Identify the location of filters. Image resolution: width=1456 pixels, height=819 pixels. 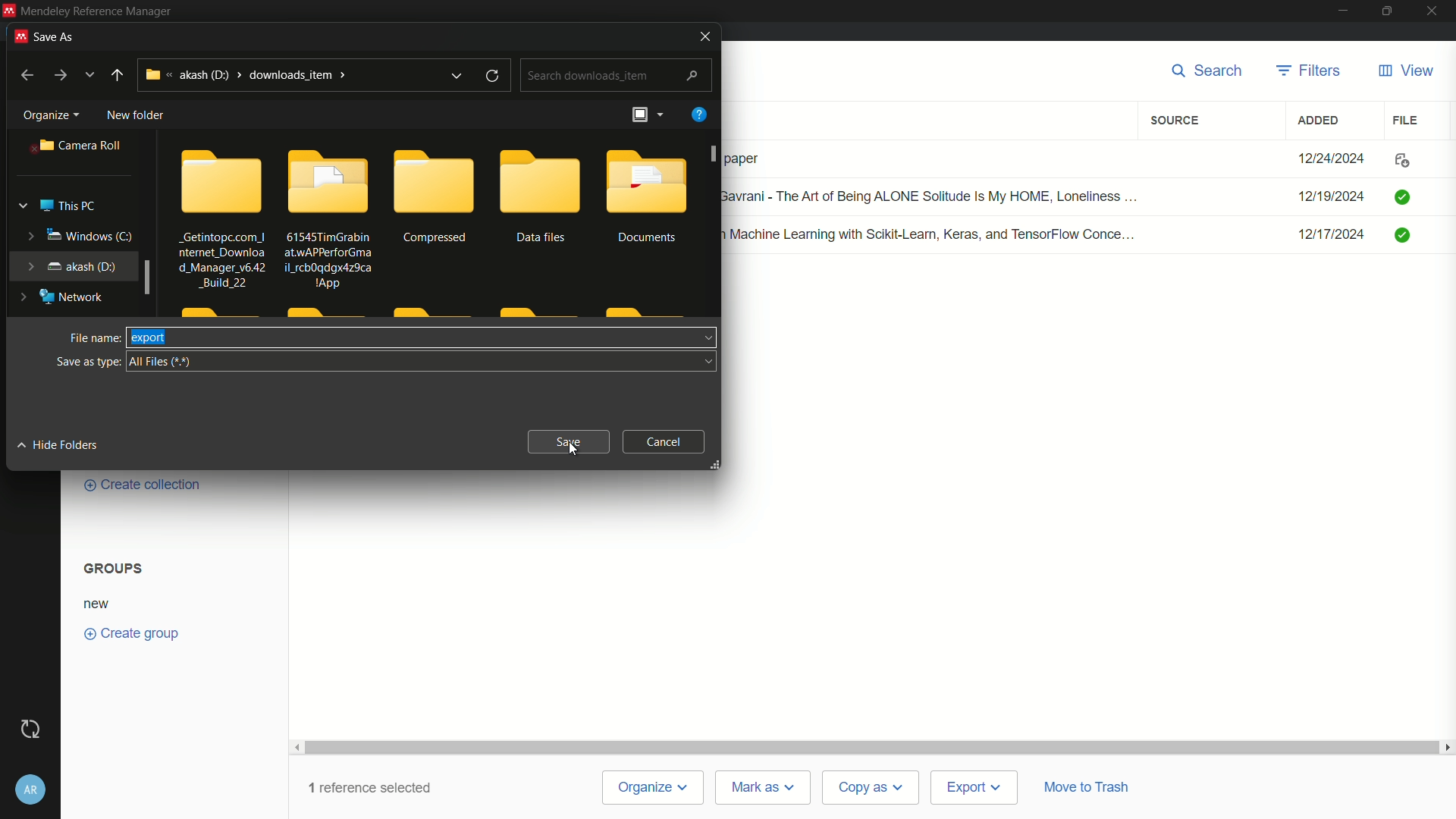
(1307, 71).